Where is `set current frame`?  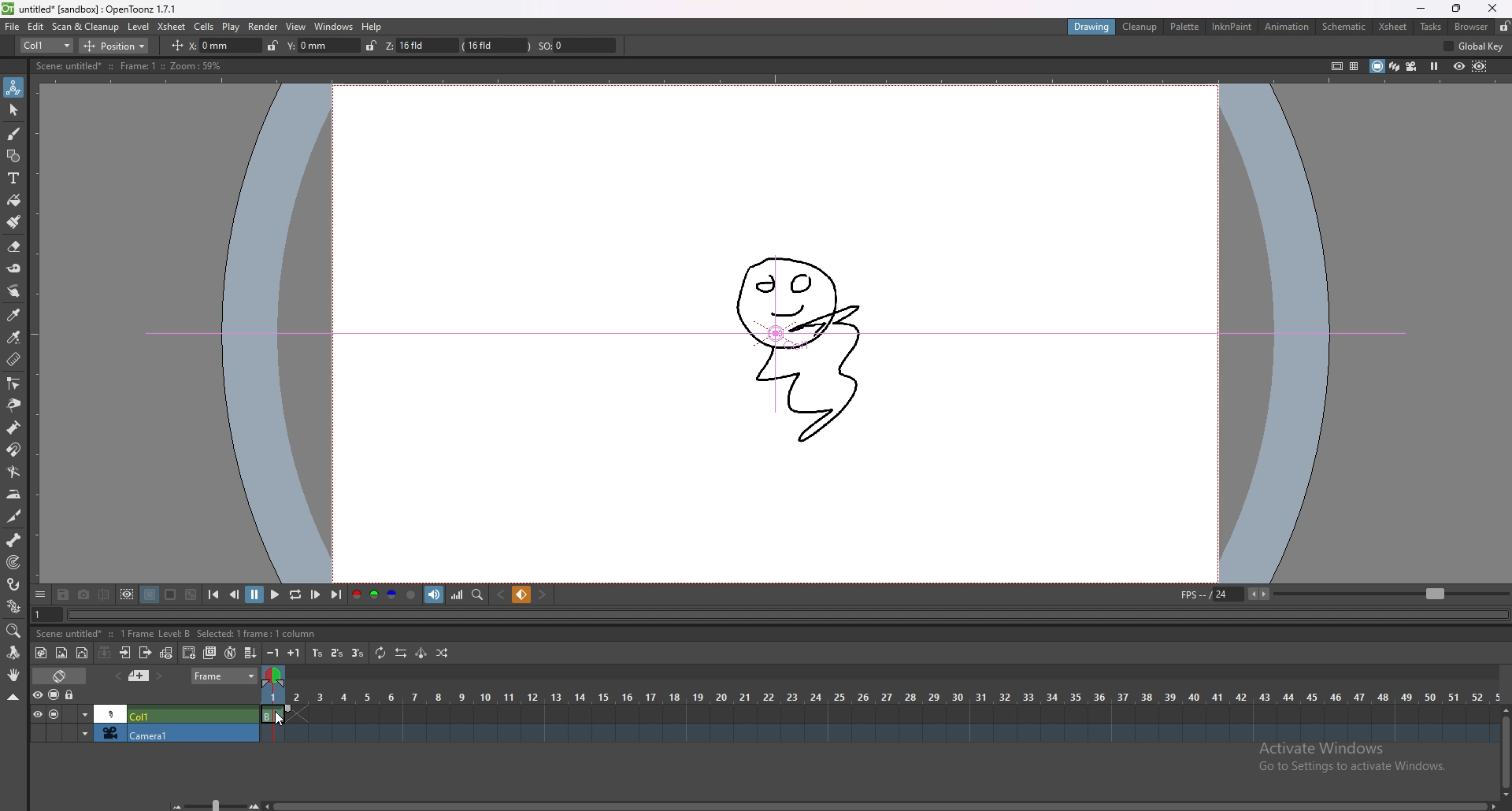 set current frame is located at coordinates (47, 614).